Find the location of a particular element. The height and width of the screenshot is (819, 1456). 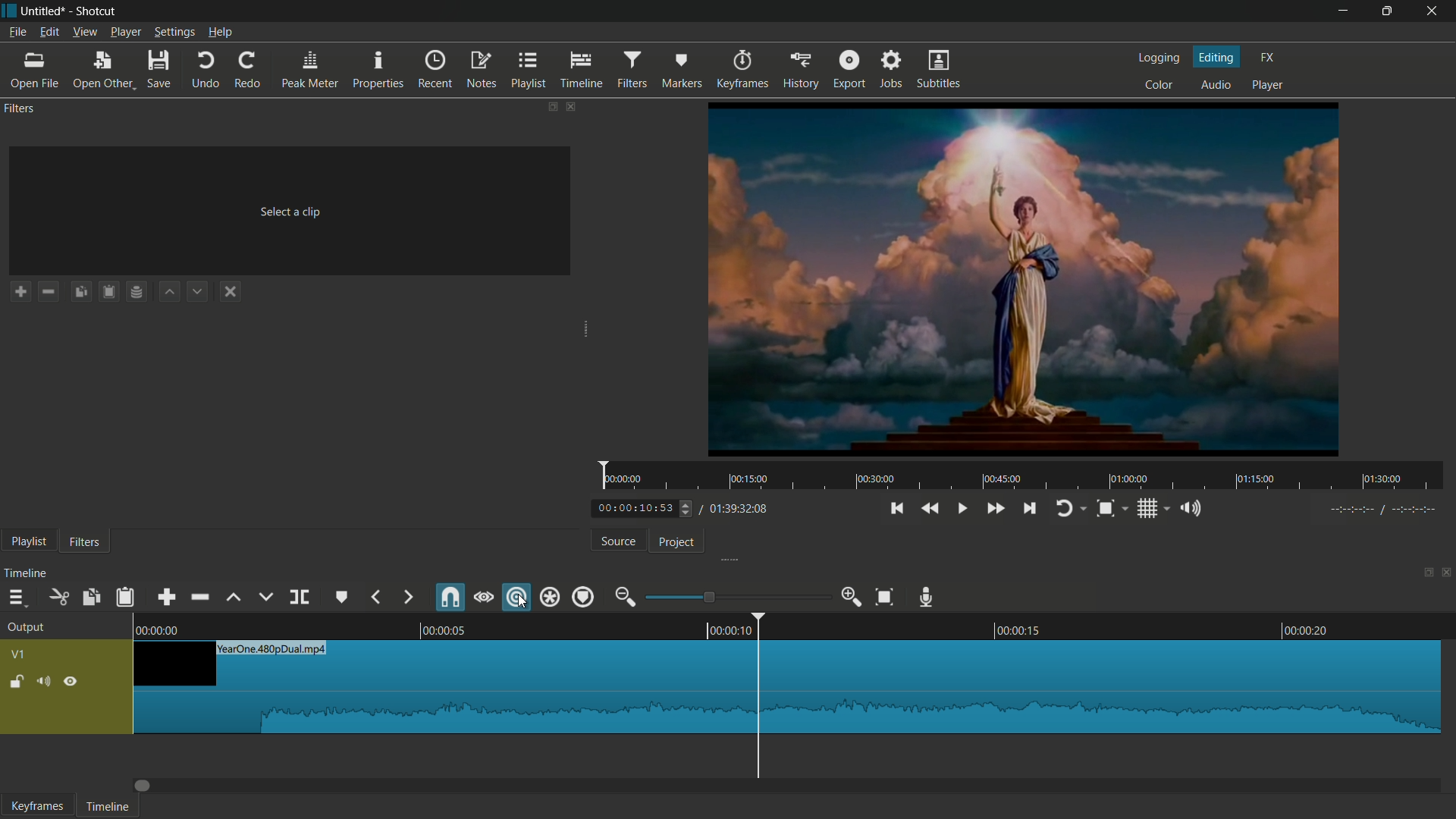

move video forward is located at coordinates (148, 786).